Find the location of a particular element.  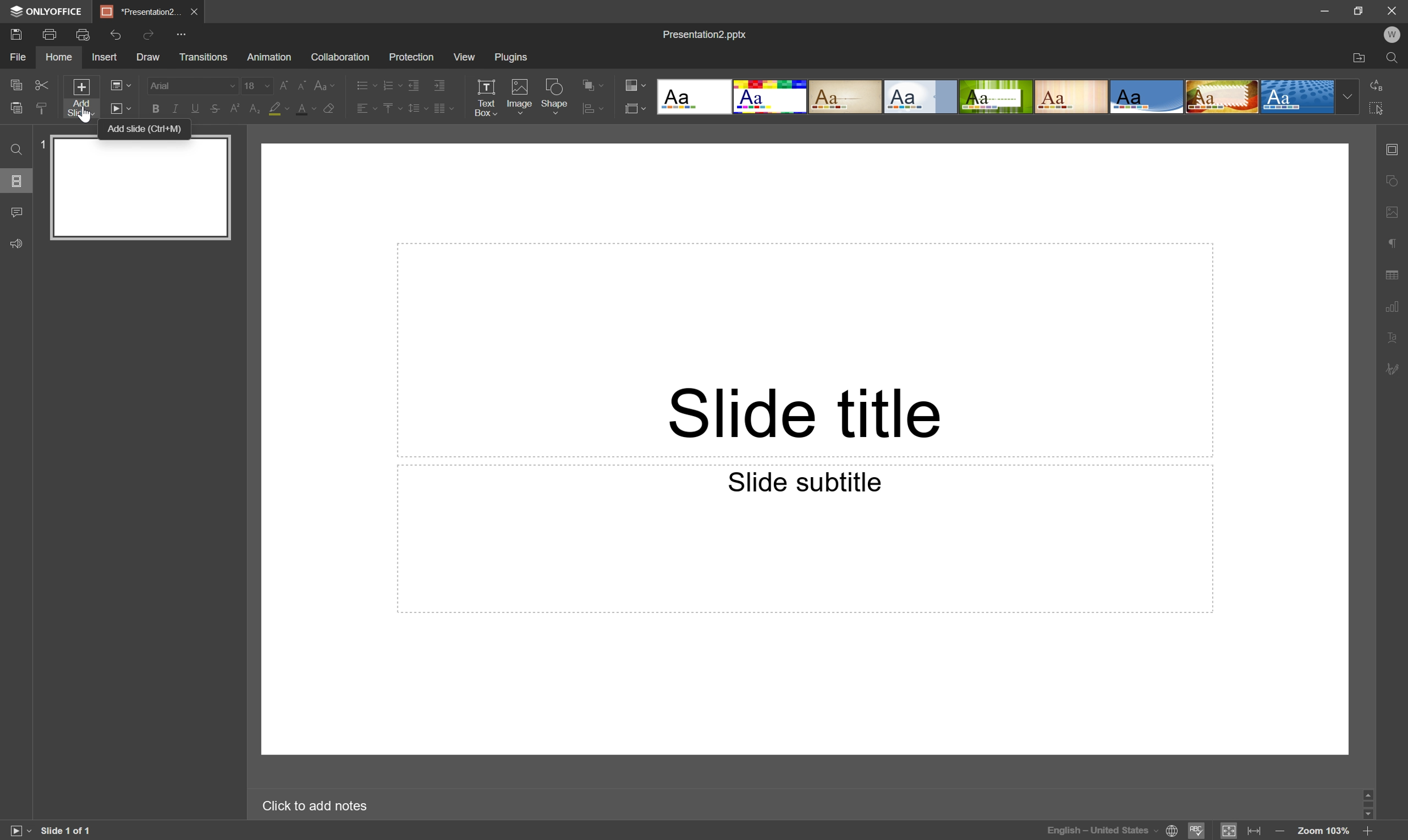

Select slide layout is located at coordinates (636, 107).